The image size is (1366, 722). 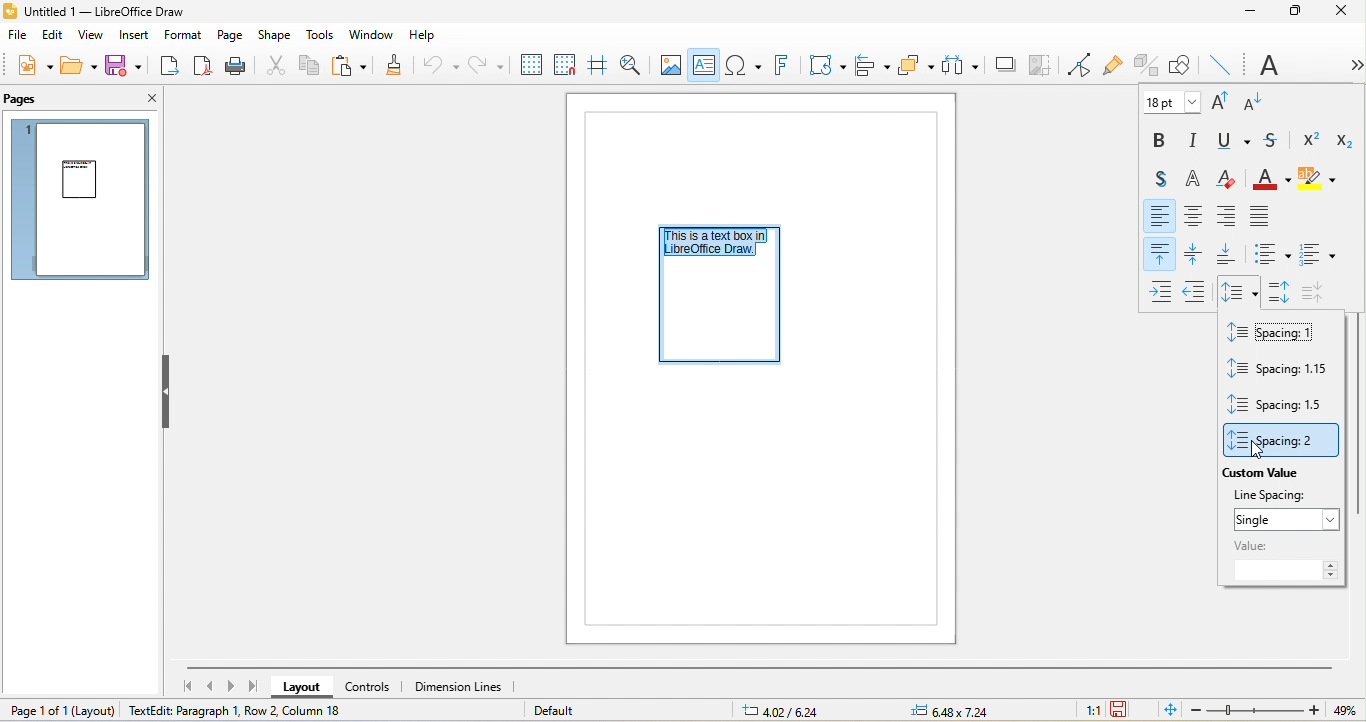 I want to click on crop image, so click(x=1038, y=64).